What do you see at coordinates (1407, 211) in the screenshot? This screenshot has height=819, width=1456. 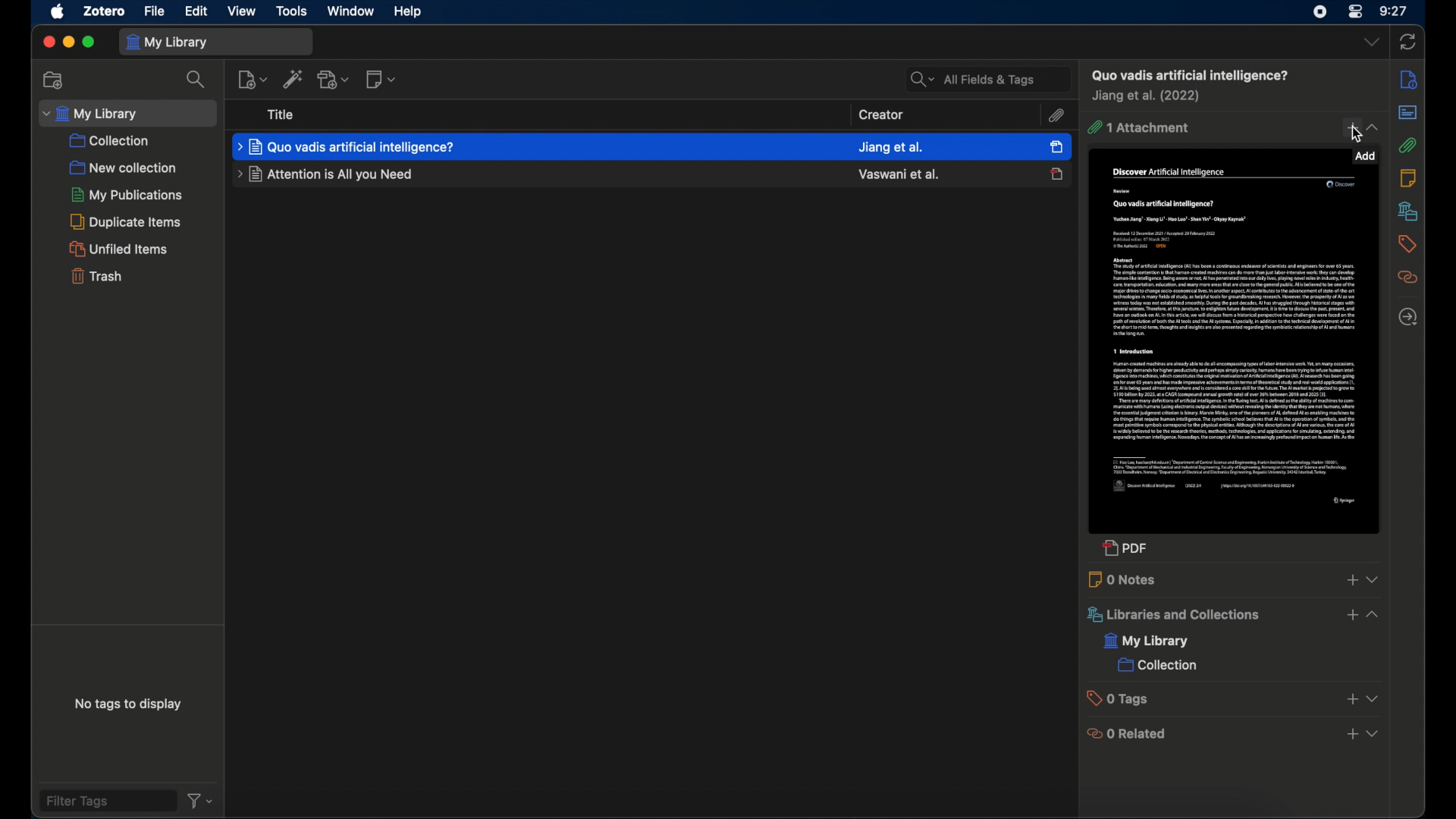 I see `libraries and collections` at bounding box center [1407, 211].